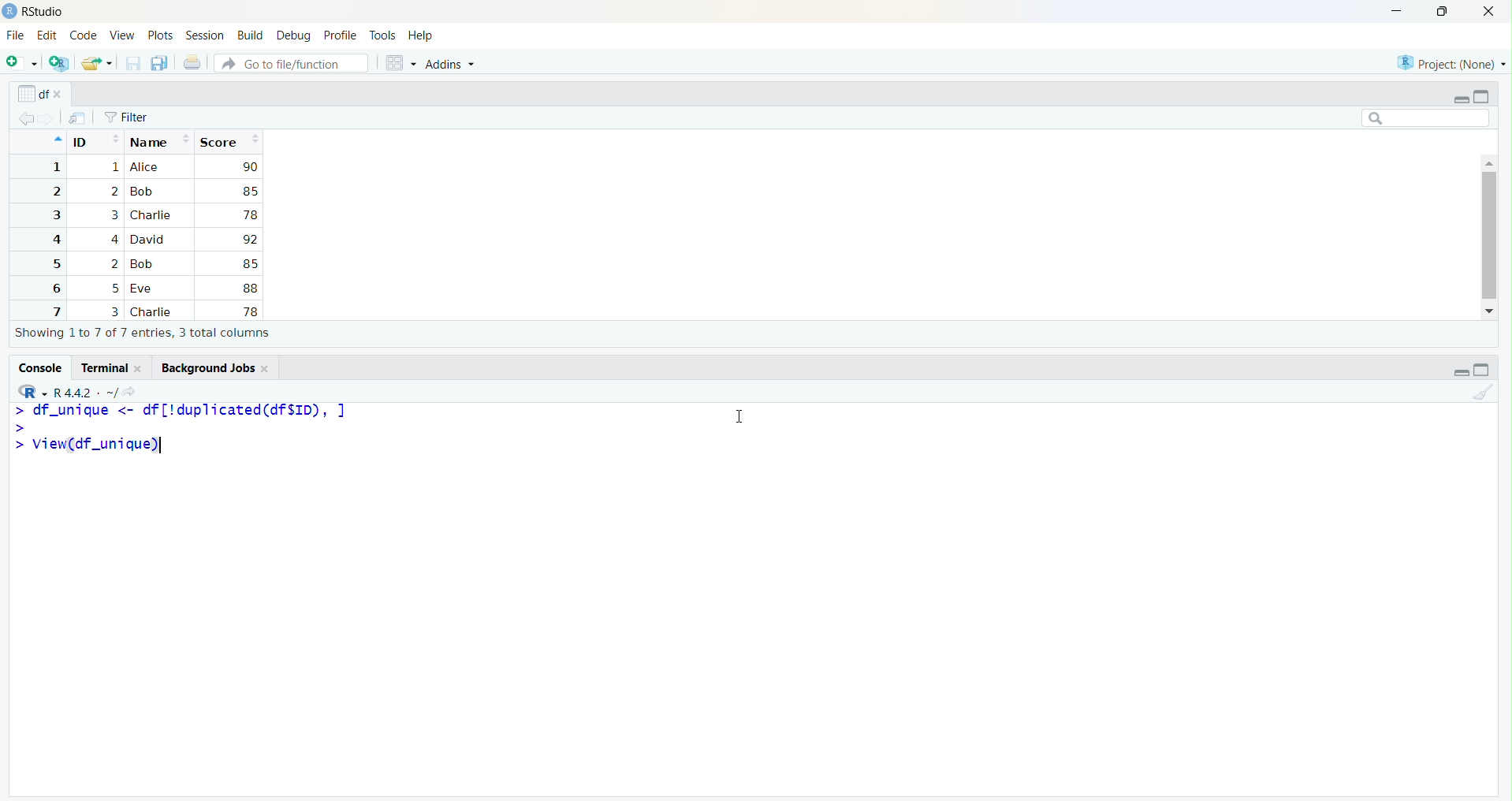  Describe the element at coordinates (114, 264) in the screenshot. I see `2` at that location.